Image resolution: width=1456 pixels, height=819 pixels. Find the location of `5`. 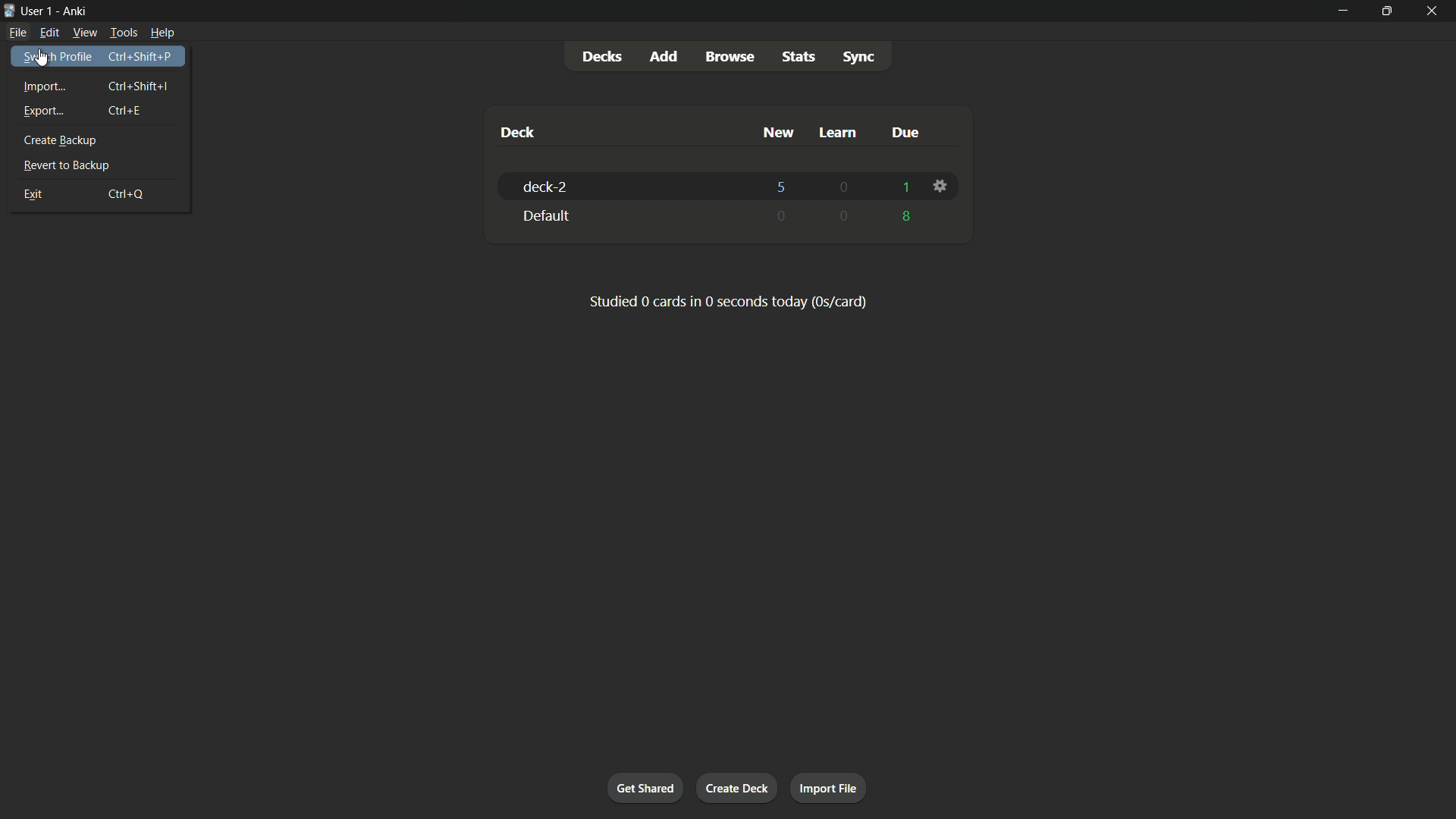

5 is located at coordinates (783, 185).